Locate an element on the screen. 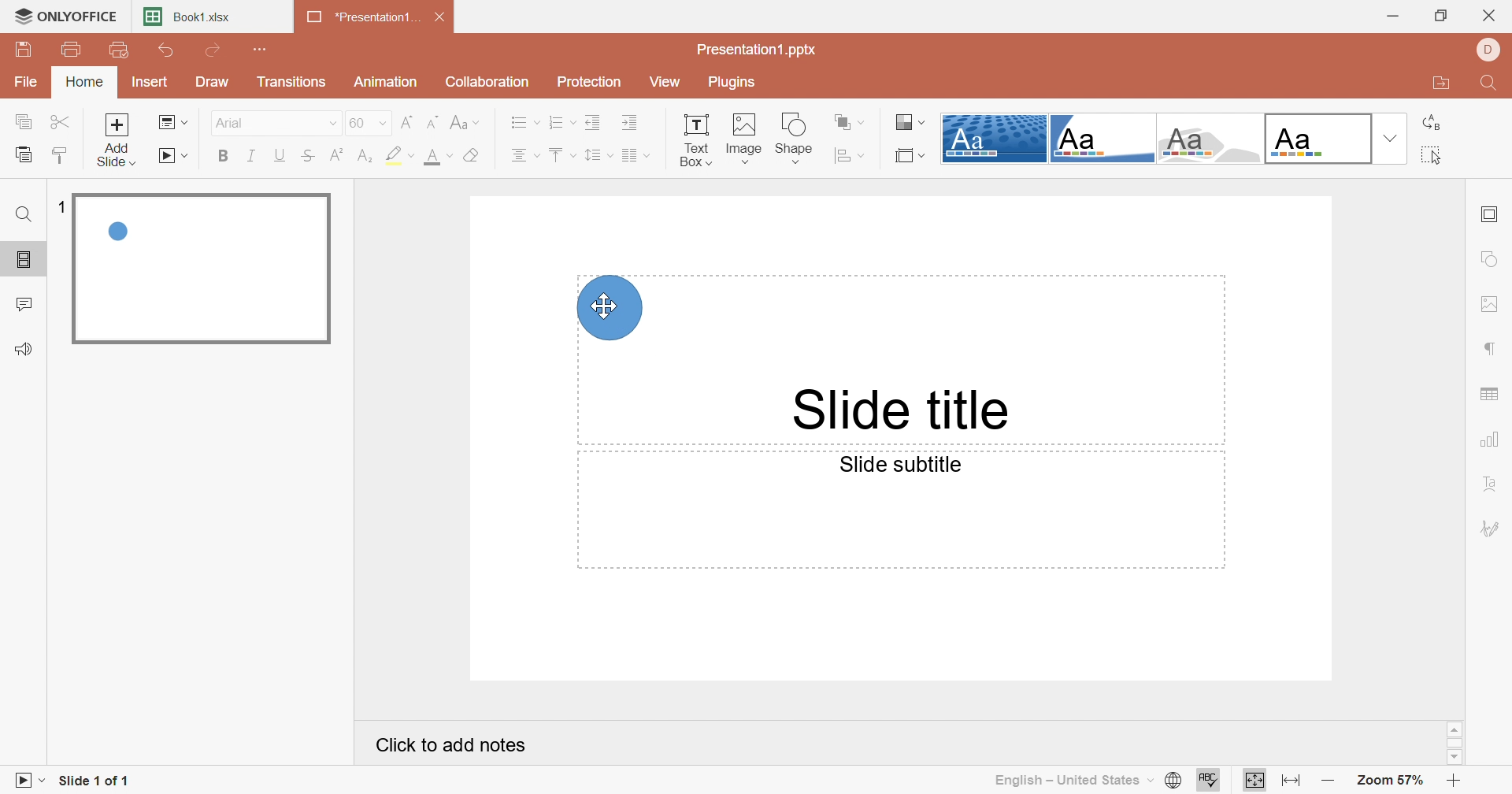 The height and width of the screenshot is (794, 1512). Scroll bar is located at coordinates (1455, 743).